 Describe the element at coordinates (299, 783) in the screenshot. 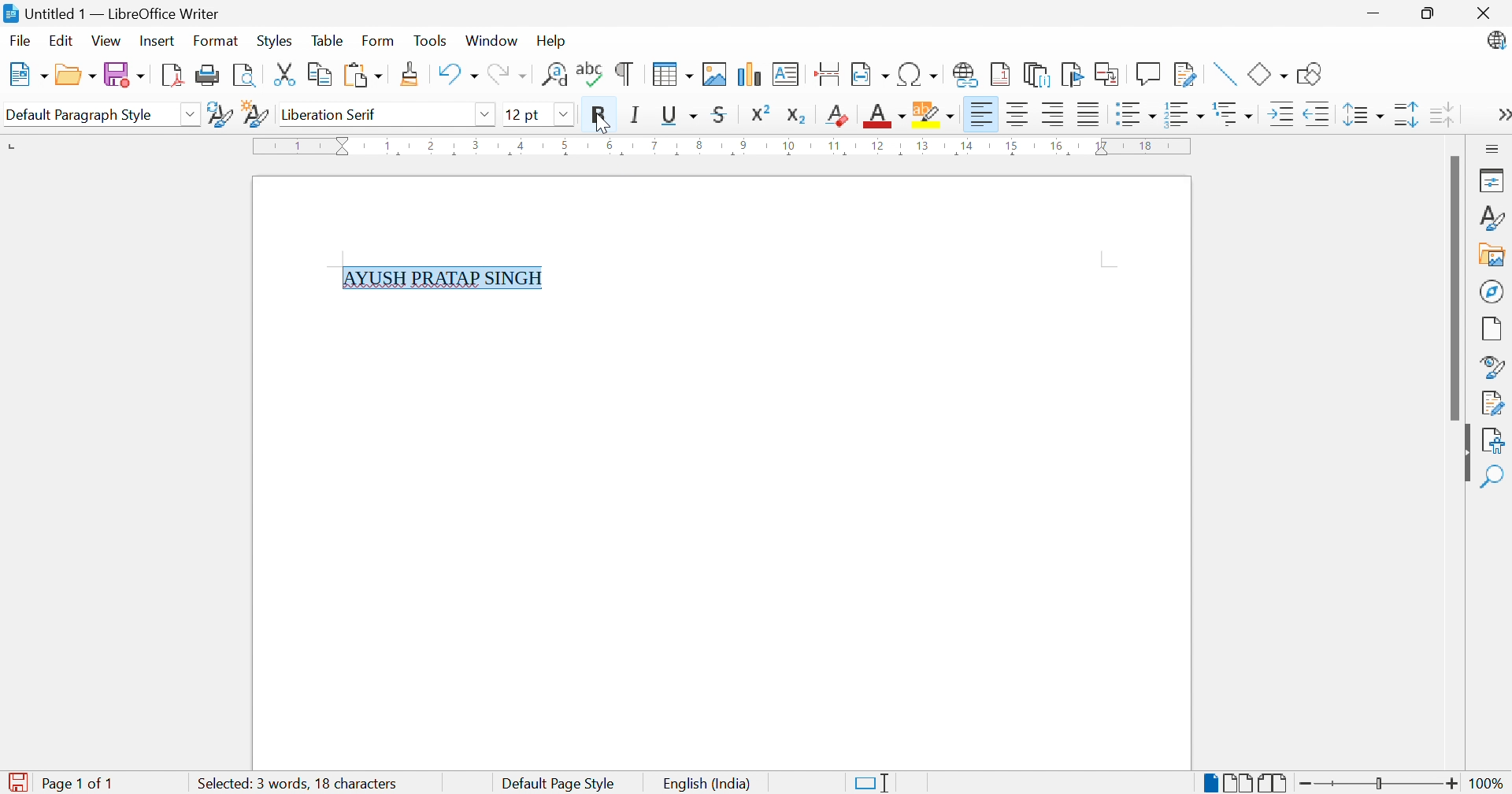

I see `4 words, 19 characters` at that location.